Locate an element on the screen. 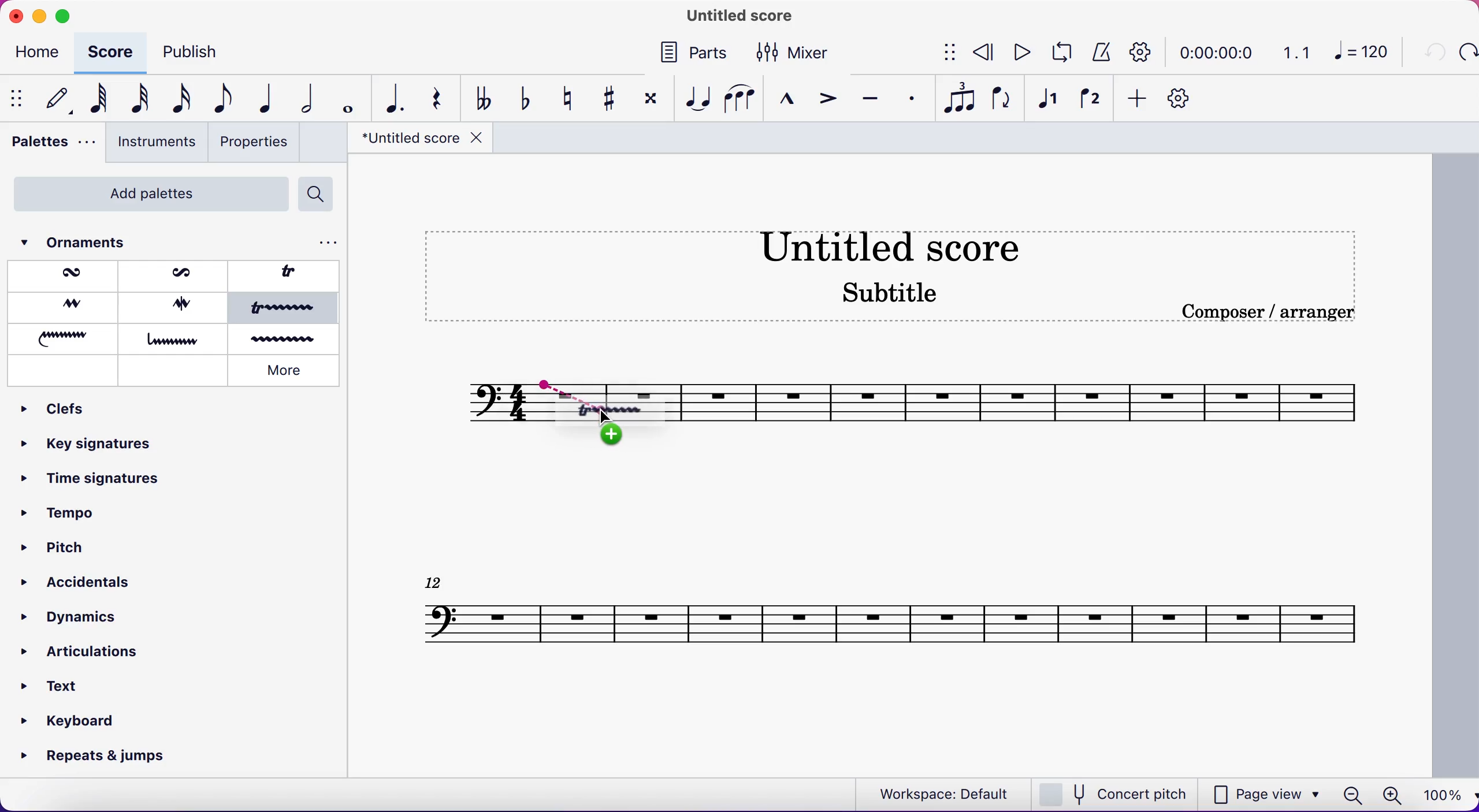 The image size is (1479, 812). 32nd note is located at coordinates (134, 99).